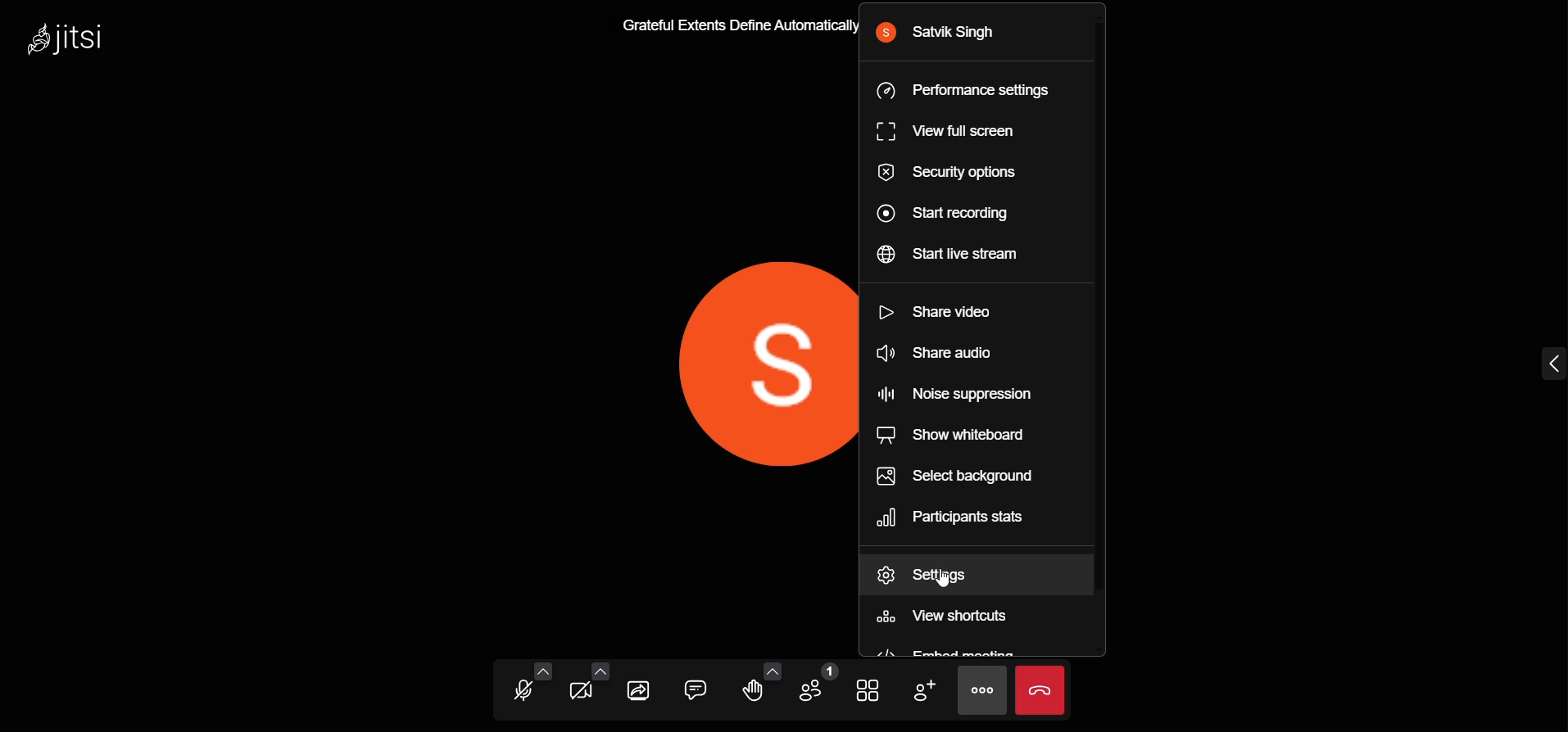  What do you see at coordinates (1042, 689) in the screenshot?
I see `leave the meeting` at bounding box center [1042, 689].